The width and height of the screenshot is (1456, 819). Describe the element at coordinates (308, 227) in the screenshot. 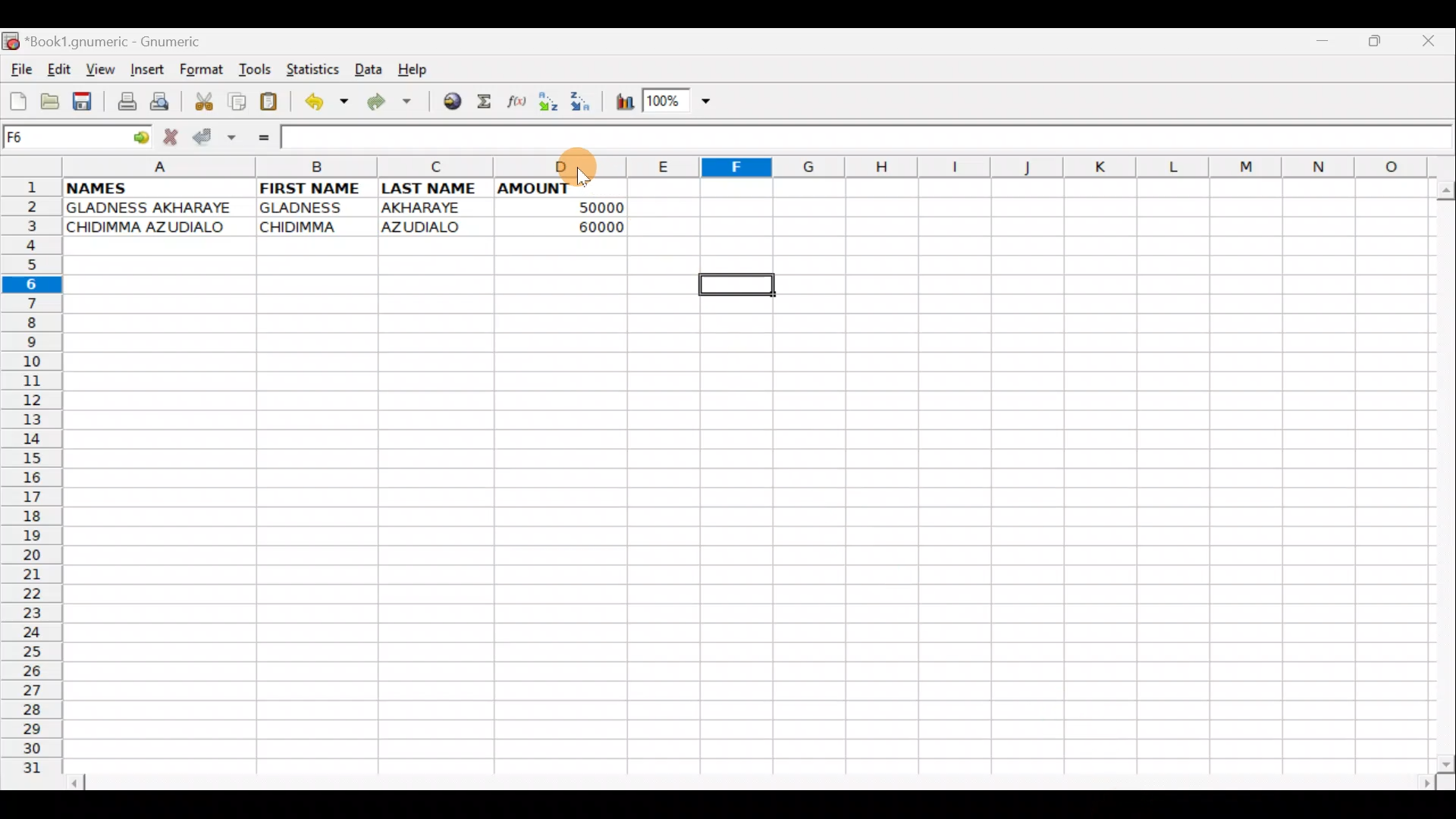

I see `CHIDIMMA` at that location.